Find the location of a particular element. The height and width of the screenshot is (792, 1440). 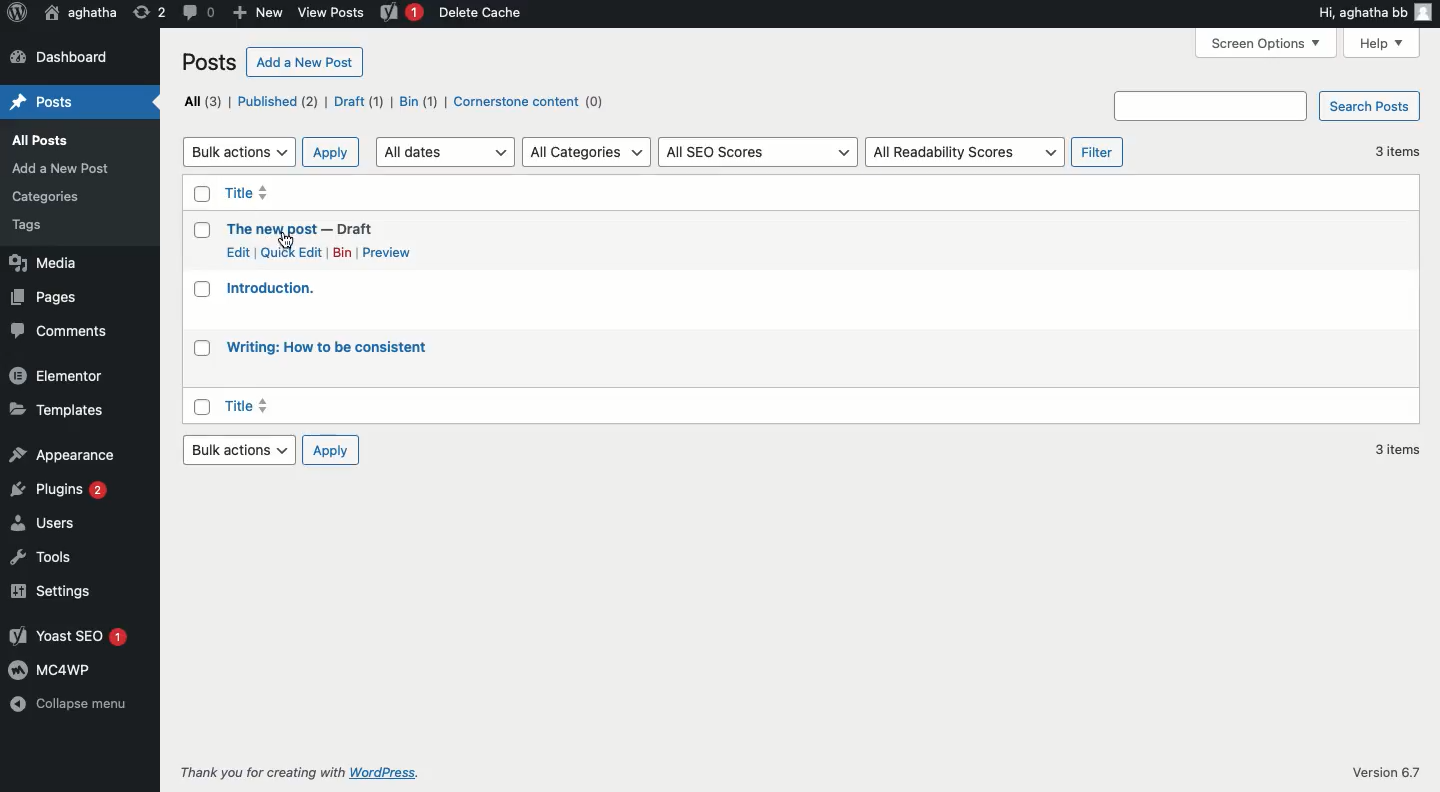

3 items is located at coordinates (1394, 449).